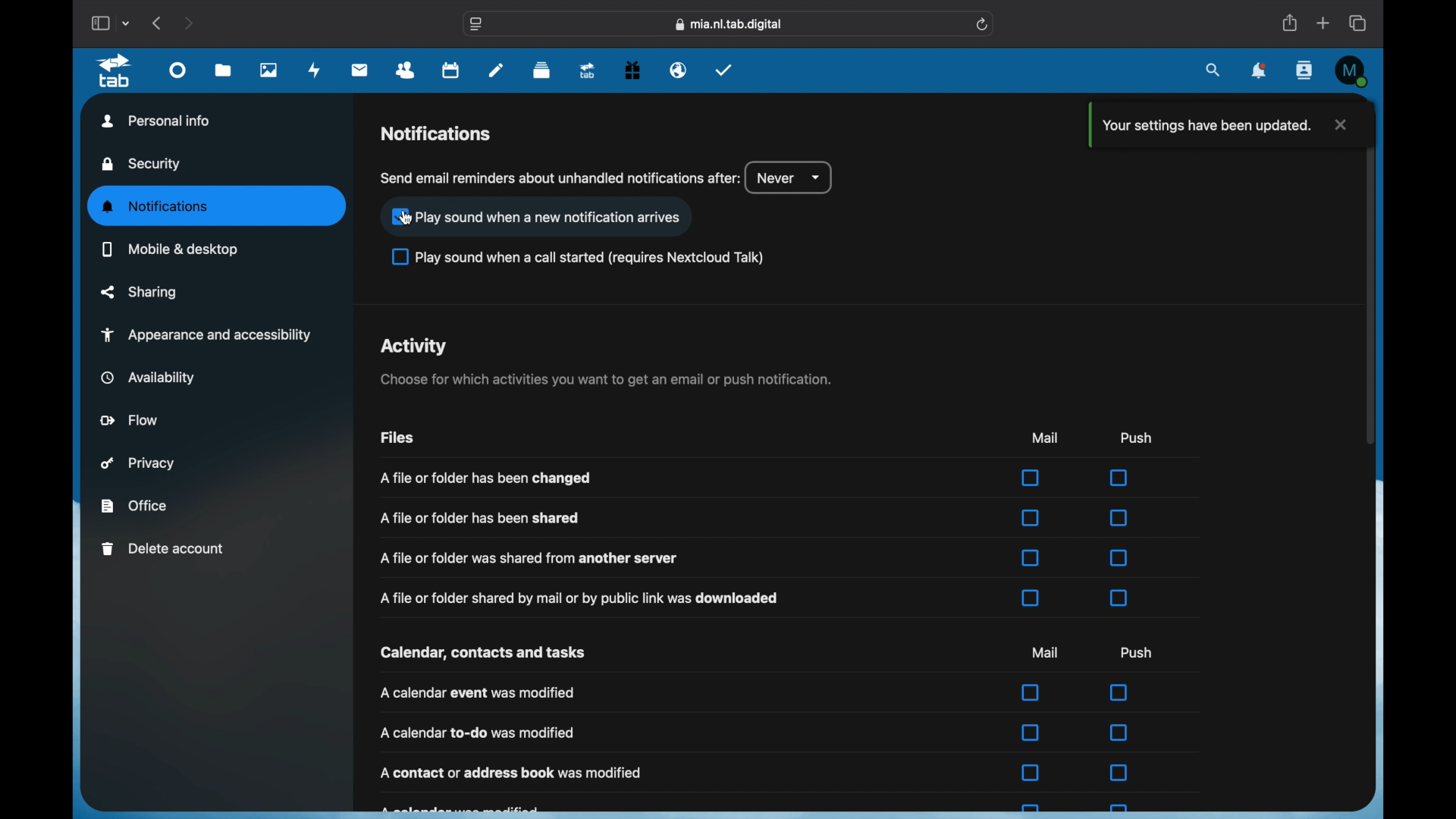 The image size is (1456, 819). I want to click on notification pop-up, so click(1216, 125).